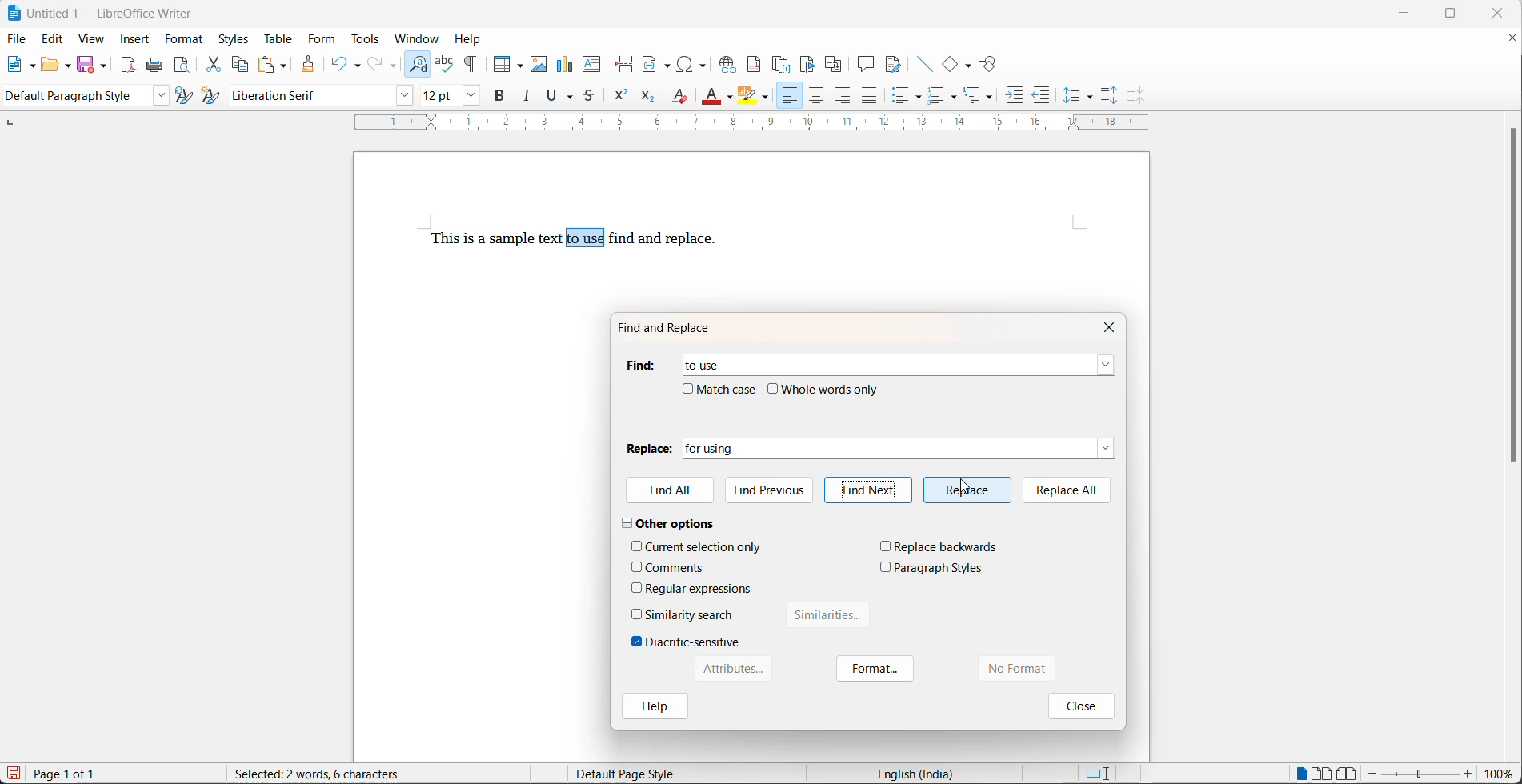 The height and width of the screenshot is (784, 1522). I want to click on basic shapes functions, so click(969, 65).